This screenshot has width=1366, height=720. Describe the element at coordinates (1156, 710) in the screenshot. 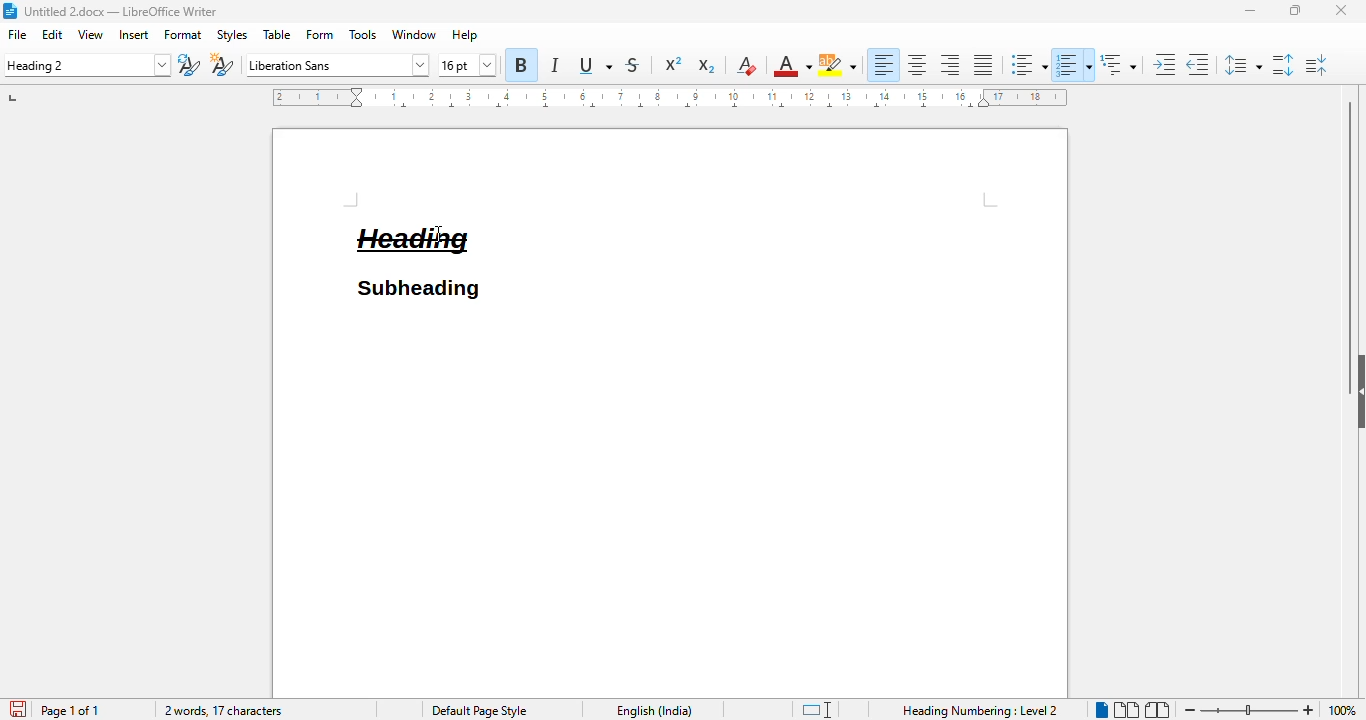

I see `book view` at that location.